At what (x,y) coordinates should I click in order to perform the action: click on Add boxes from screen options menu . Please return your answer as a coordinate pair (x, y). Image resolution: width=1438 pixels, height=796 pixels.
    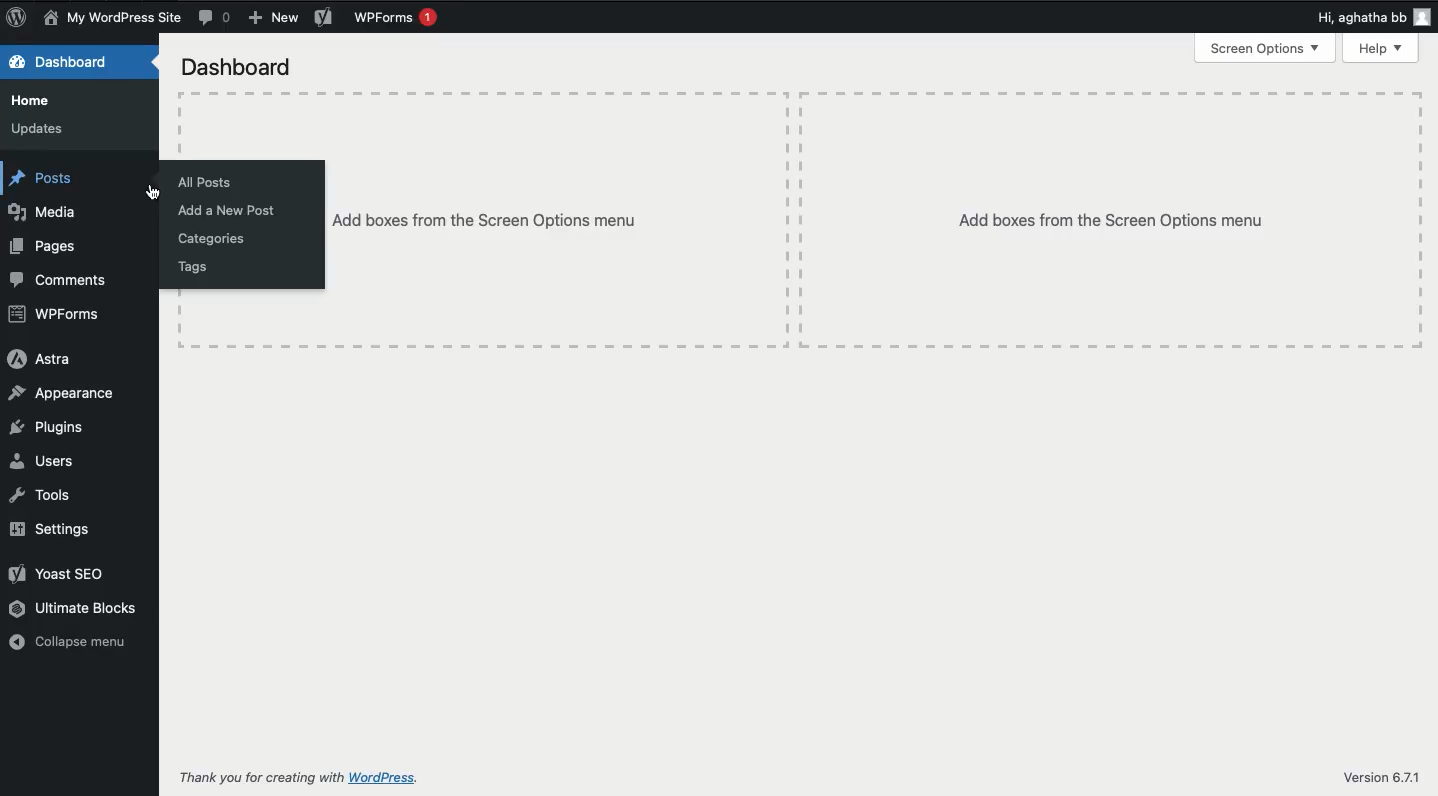
    Looking at the image, I should click on (1112, 219).